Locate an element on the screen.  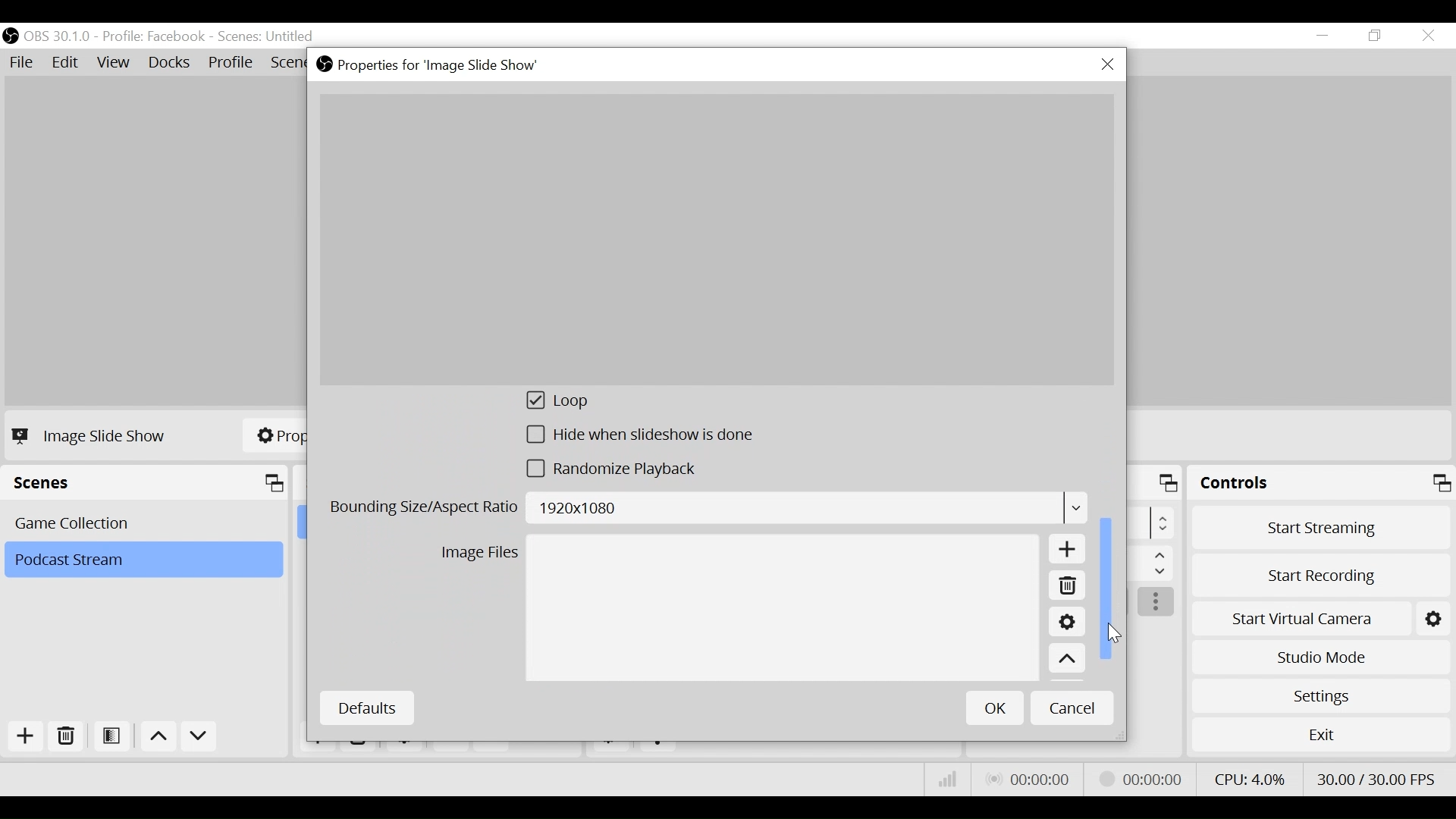
Remove is located at coordinates (1066, 585).